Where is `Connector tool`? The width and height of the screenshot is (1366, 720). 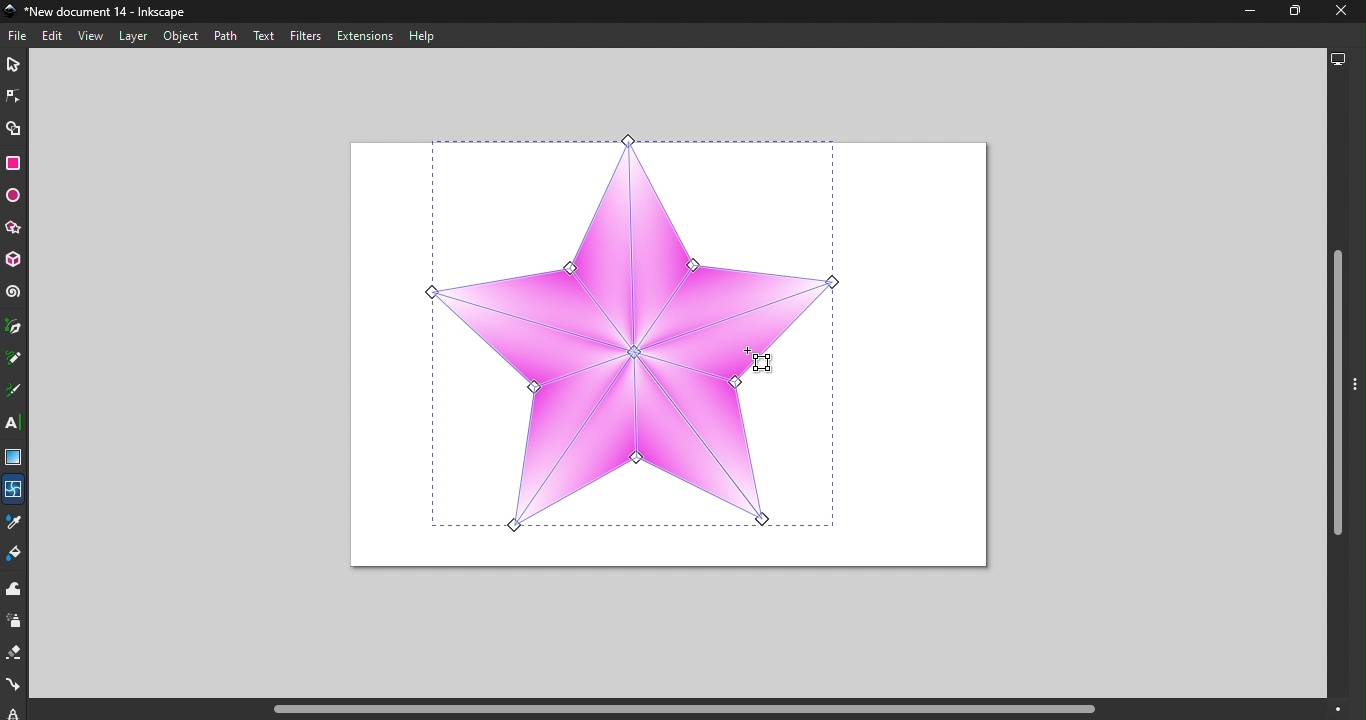 Connector tool is located at coordinates (15, 687).